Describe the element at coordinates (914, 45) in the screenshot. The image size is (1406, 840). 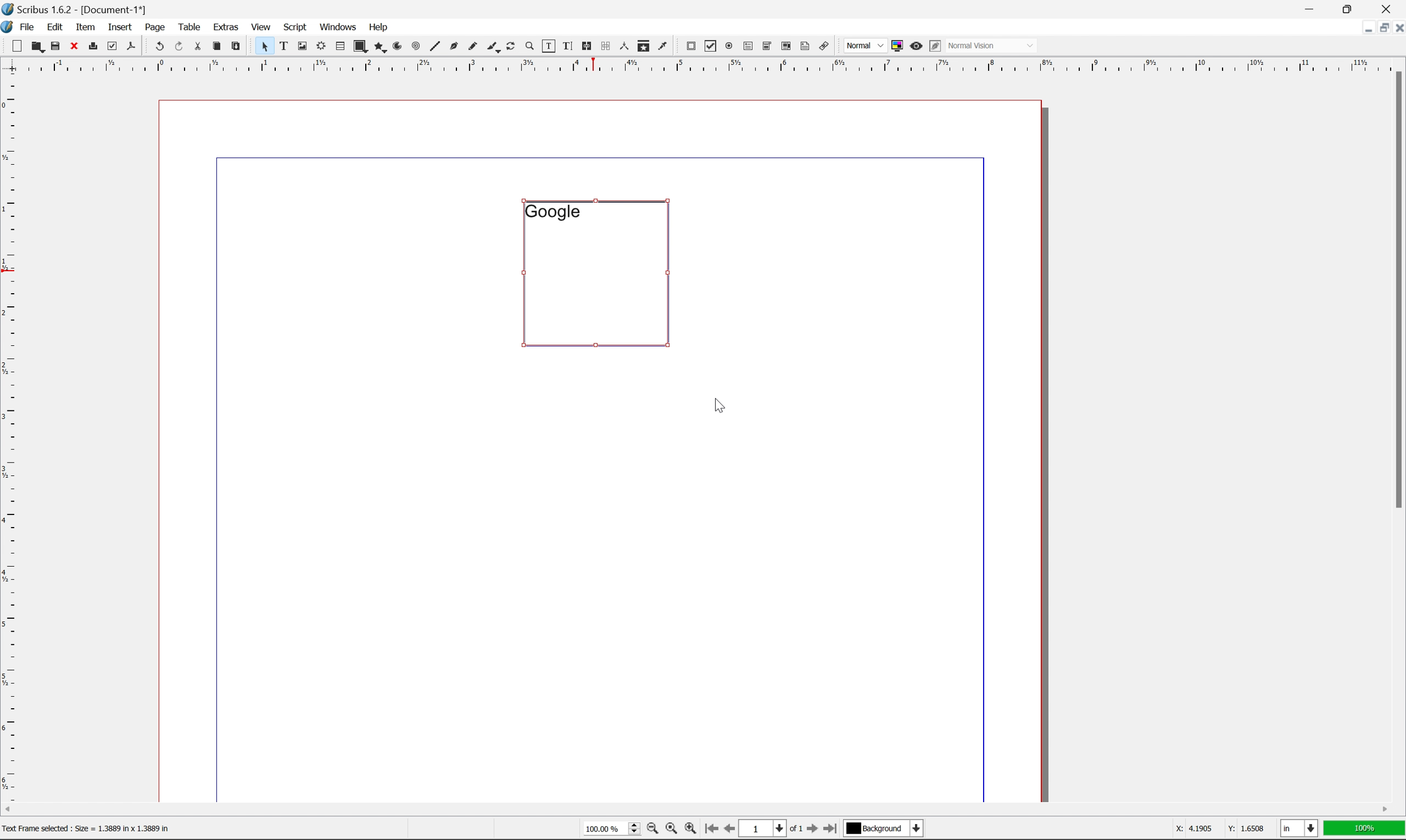
I see `preview mode` at that location.